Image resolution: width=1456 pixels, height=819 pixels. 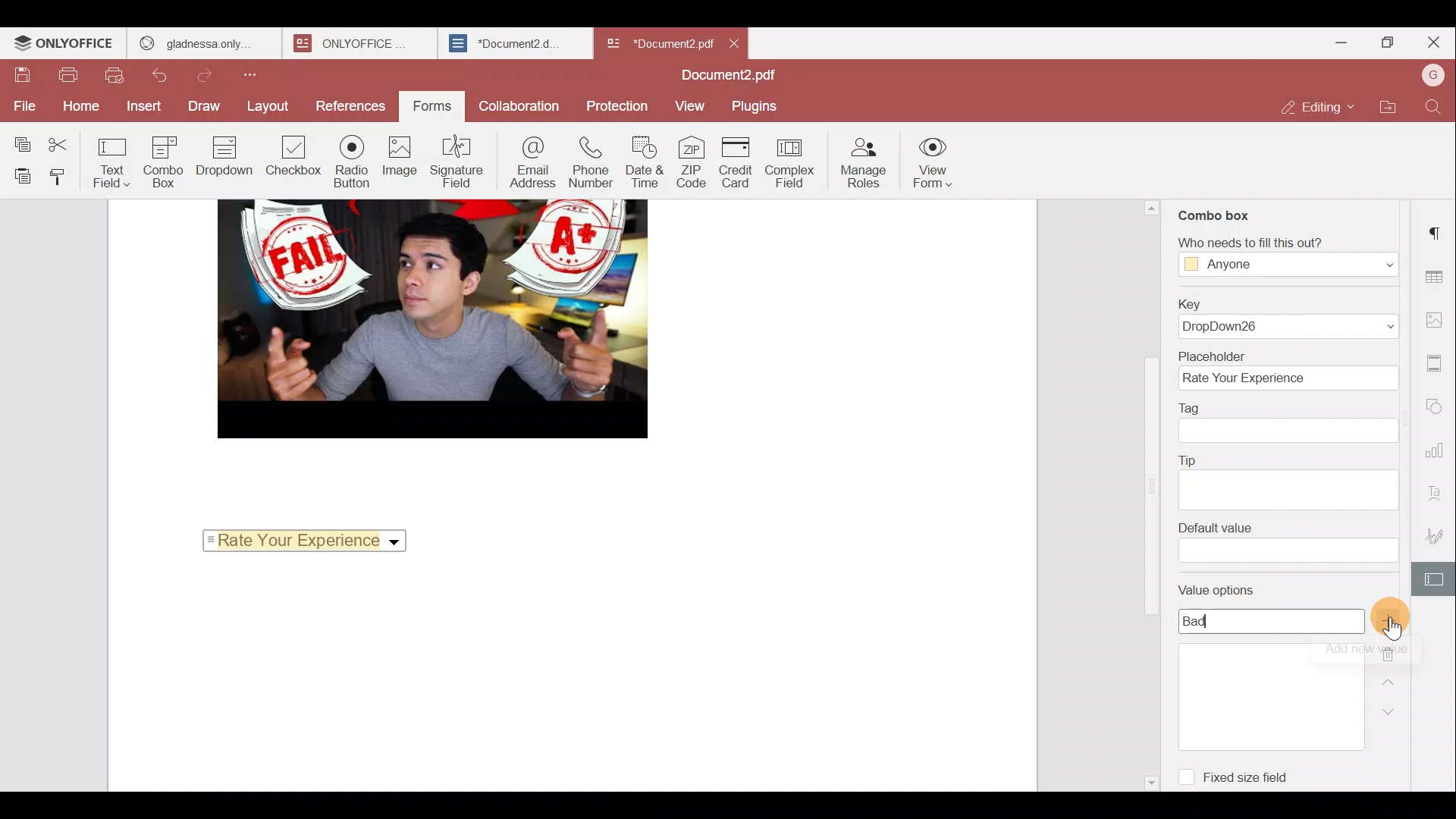 What do you see at coordinates (68, 77) in the screenshot?
I see `Print file` at bounding box center [68, 77].